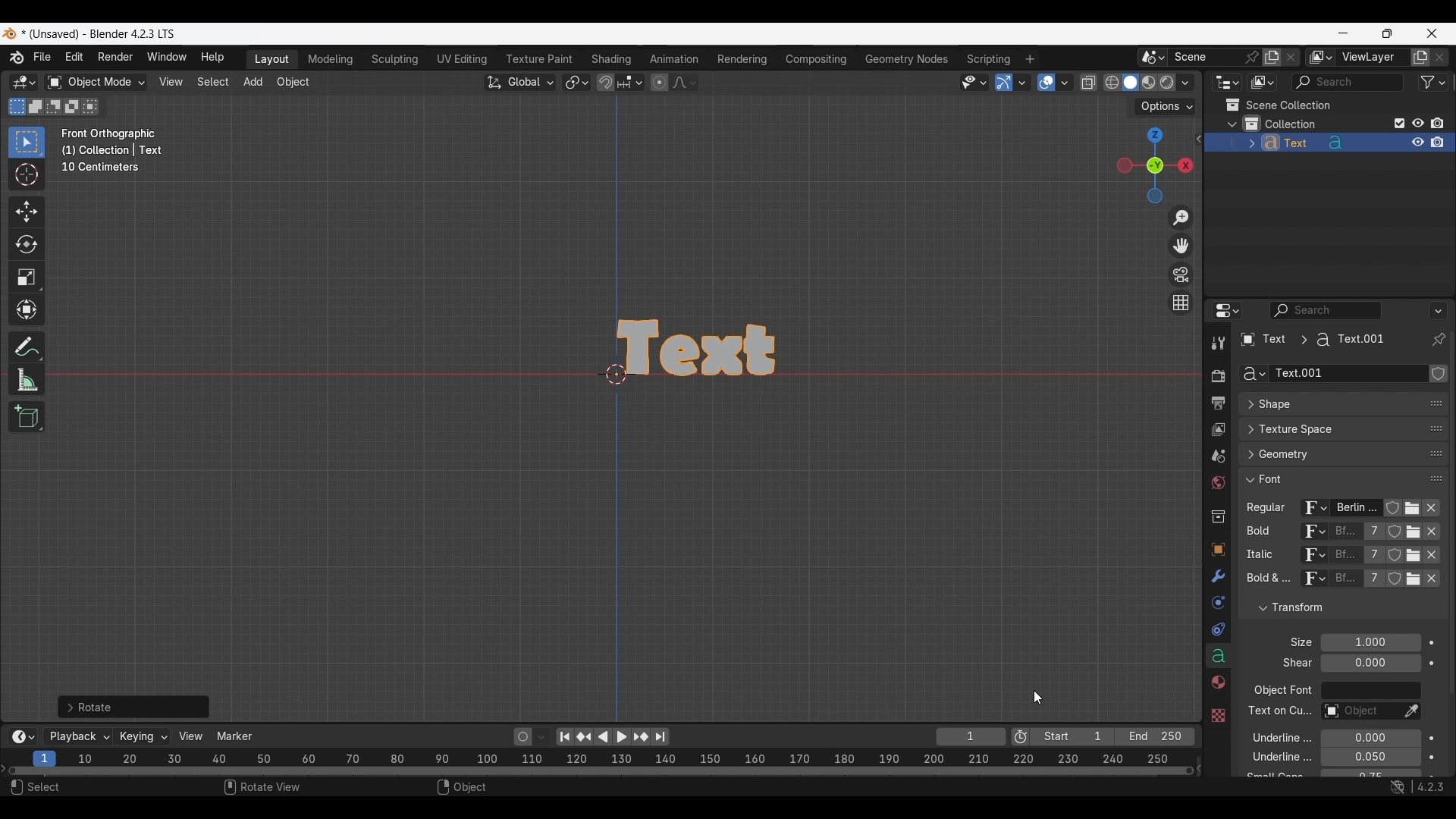 This screenshot has width=1456, height=819. What do you see at coordinates (1424, 582) in the screenshot?
I see `unlink respective attribute` at bounding box center [1424, 582].